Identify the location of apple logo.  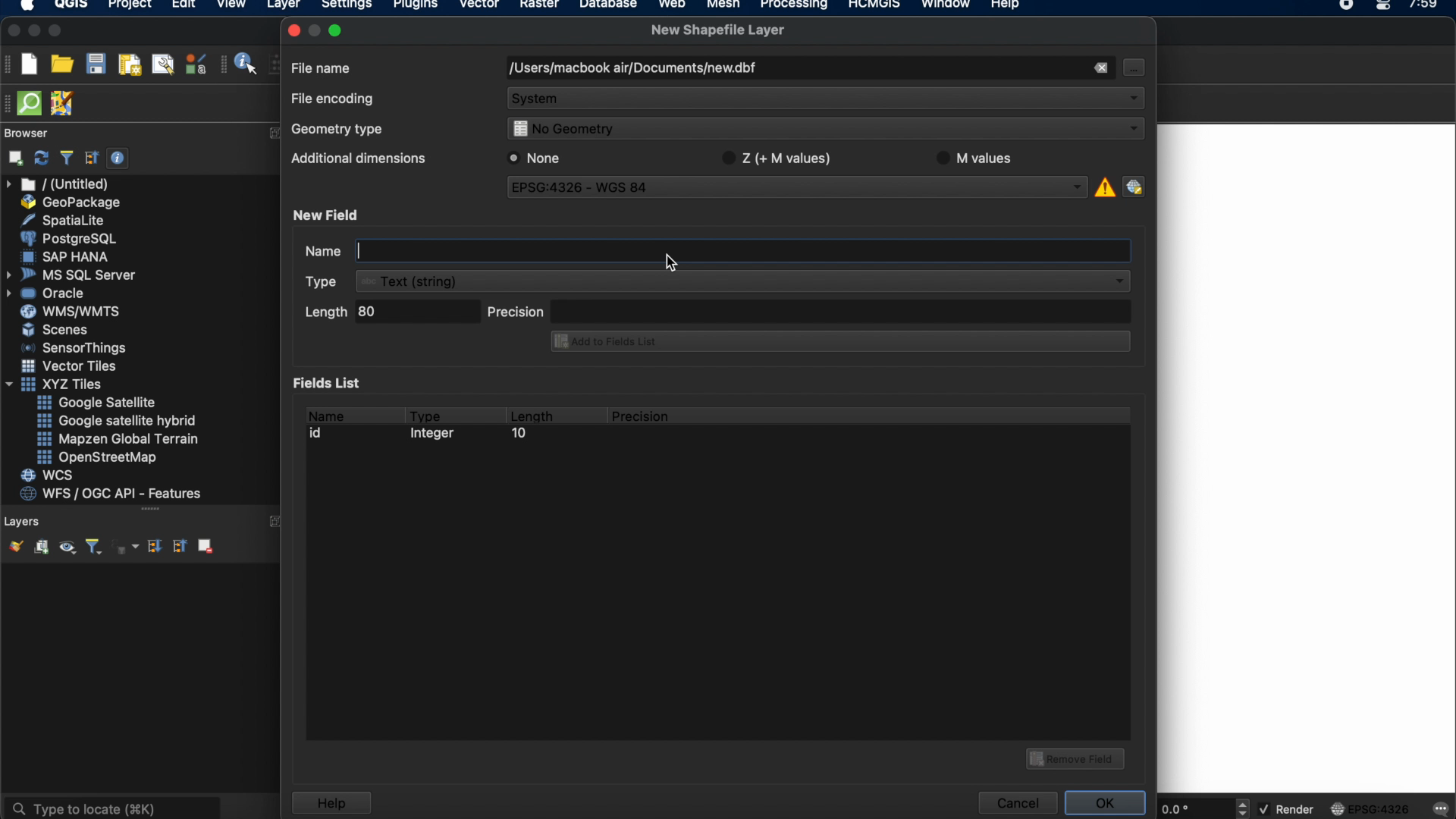
(25, 6).